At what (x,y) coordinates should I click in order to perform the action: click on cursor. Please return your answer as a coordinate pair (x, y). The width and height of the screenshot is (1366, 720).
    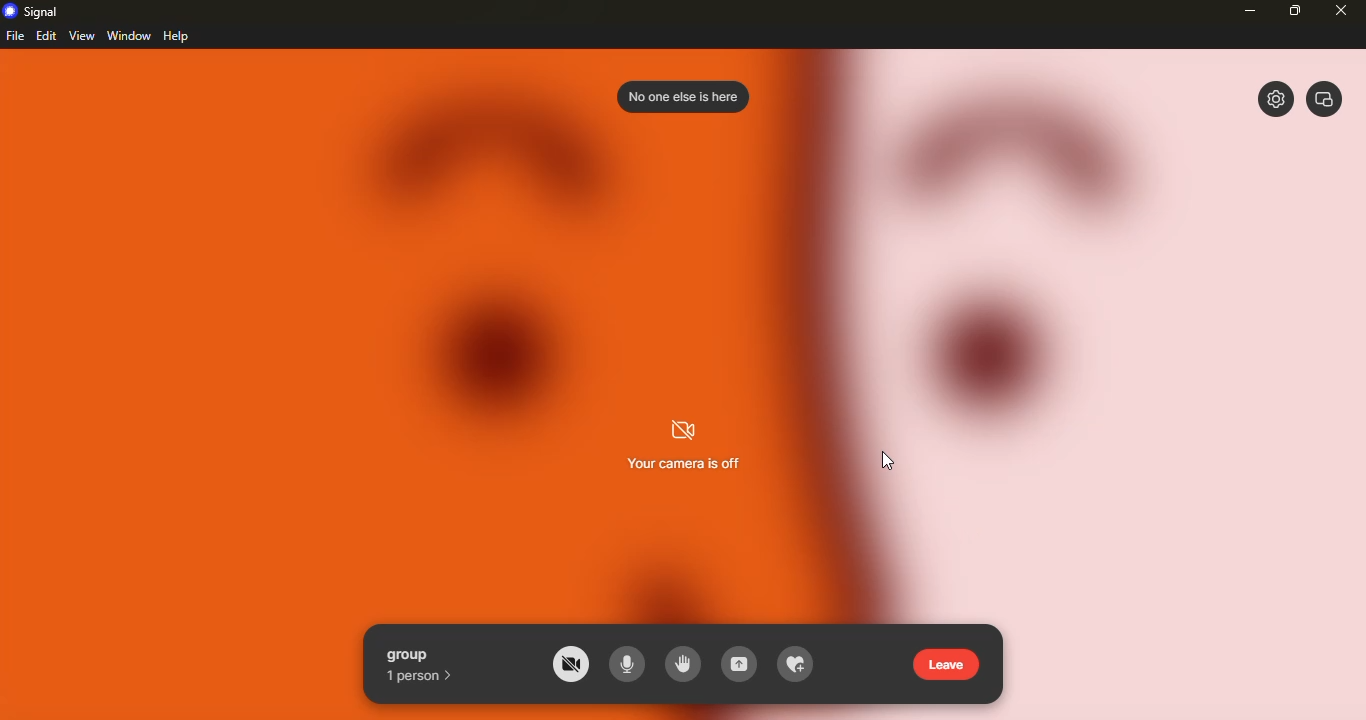
    Looking at the image, I should click on (888, 458).